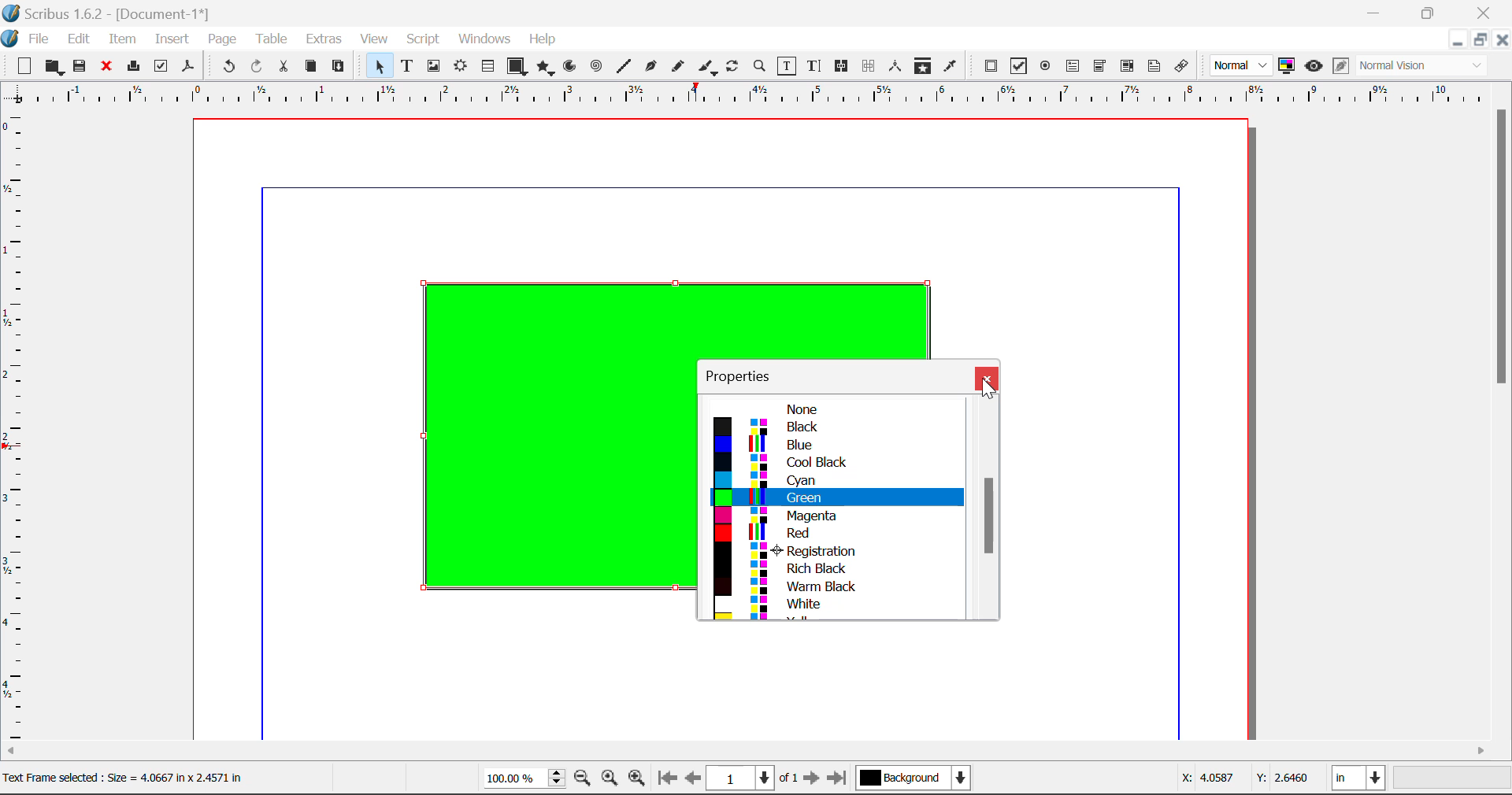  Describe the element at coordinates (814, 781) in the screenshot. I see `Next Page` at that location.